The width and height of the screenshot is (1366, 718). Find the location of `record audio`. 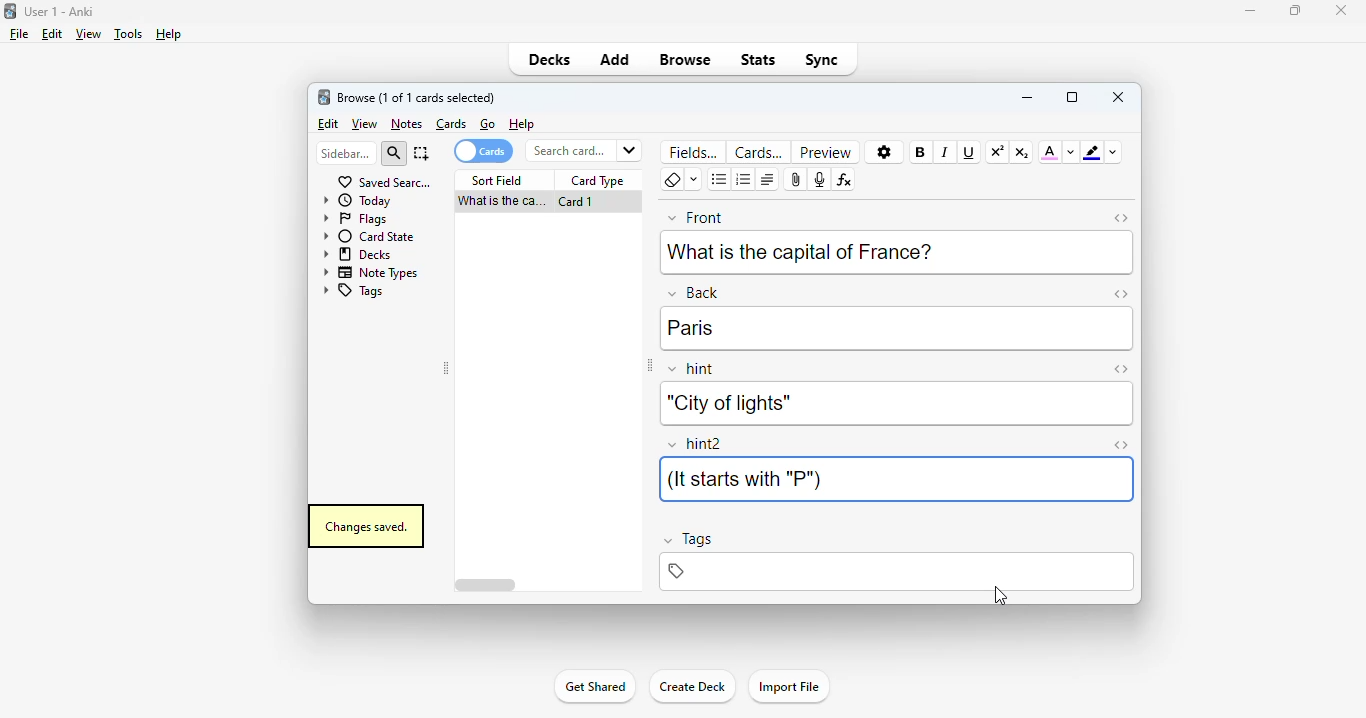

record audio is located at coordinates (819, 180).